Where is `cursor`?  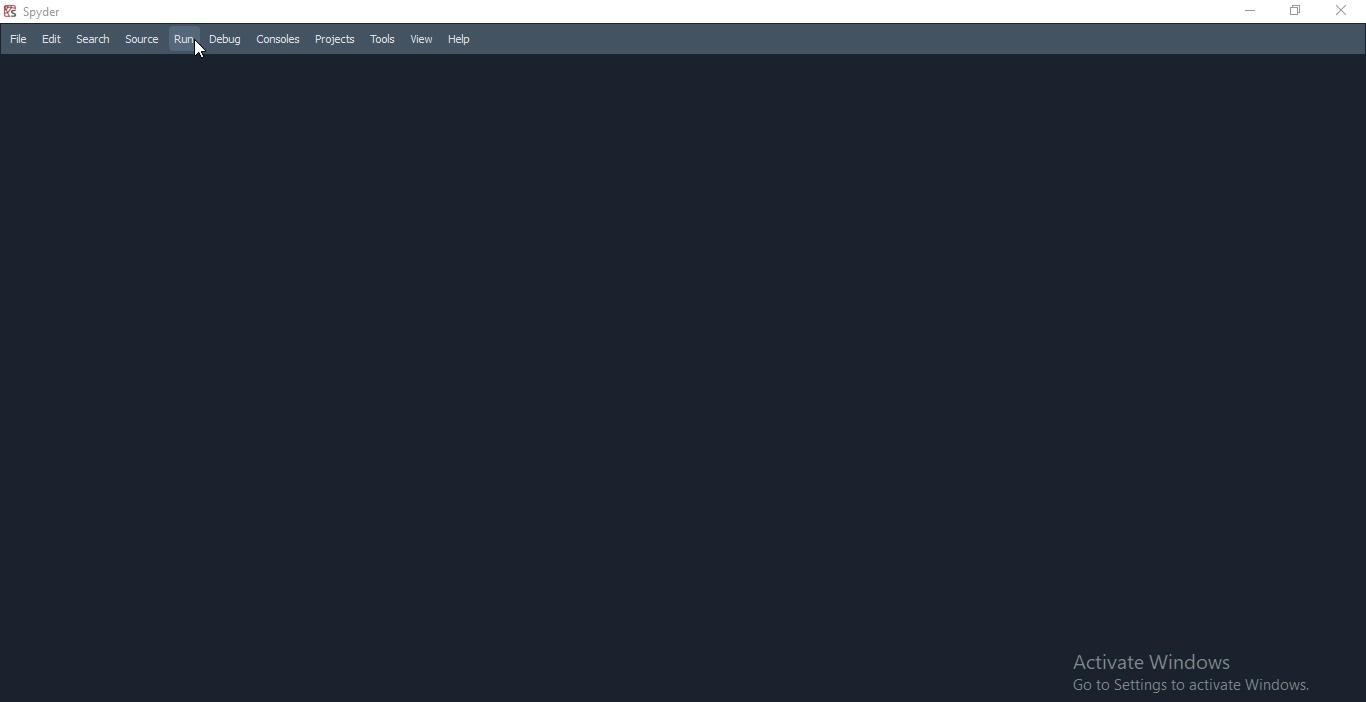 cursor is located at coordinates (198, 49).